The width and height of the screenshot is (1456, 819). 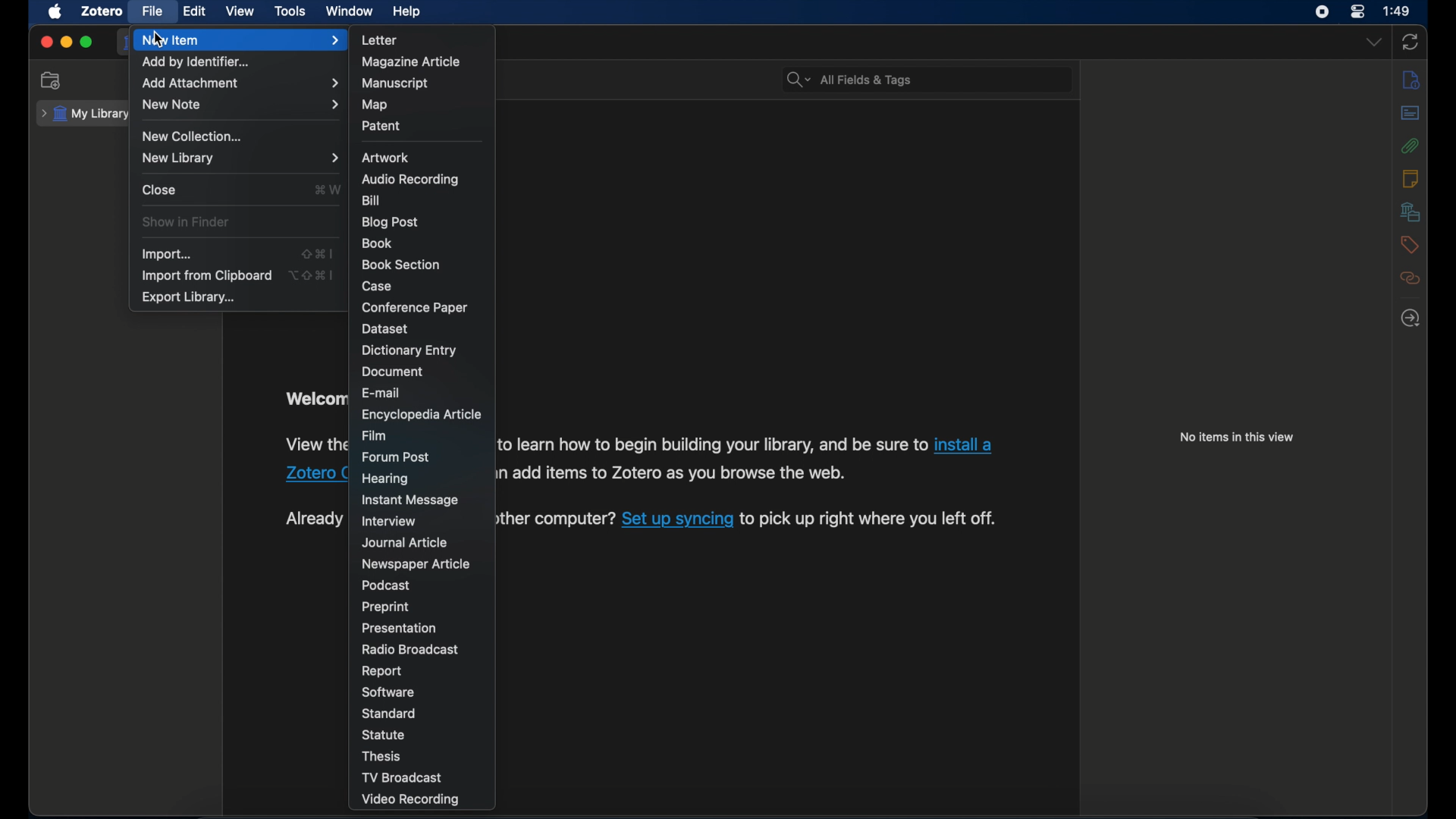 What do you see at coordinates (411, 800) in the screenshot?
I see `video recording` at bounding box center [411, 800].